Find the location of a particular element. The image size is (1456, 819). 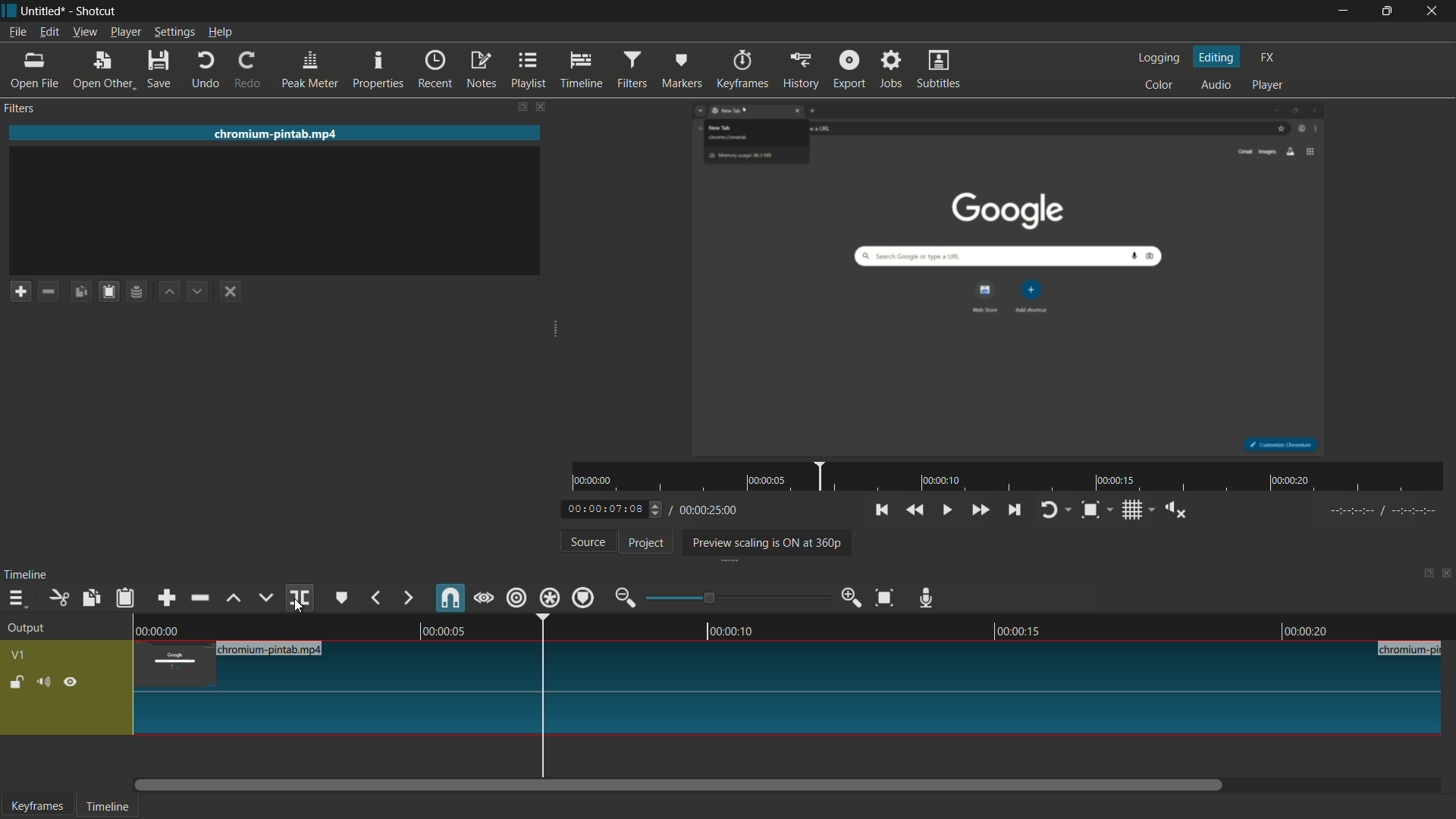

next marker is located at coordinates (409, 599).